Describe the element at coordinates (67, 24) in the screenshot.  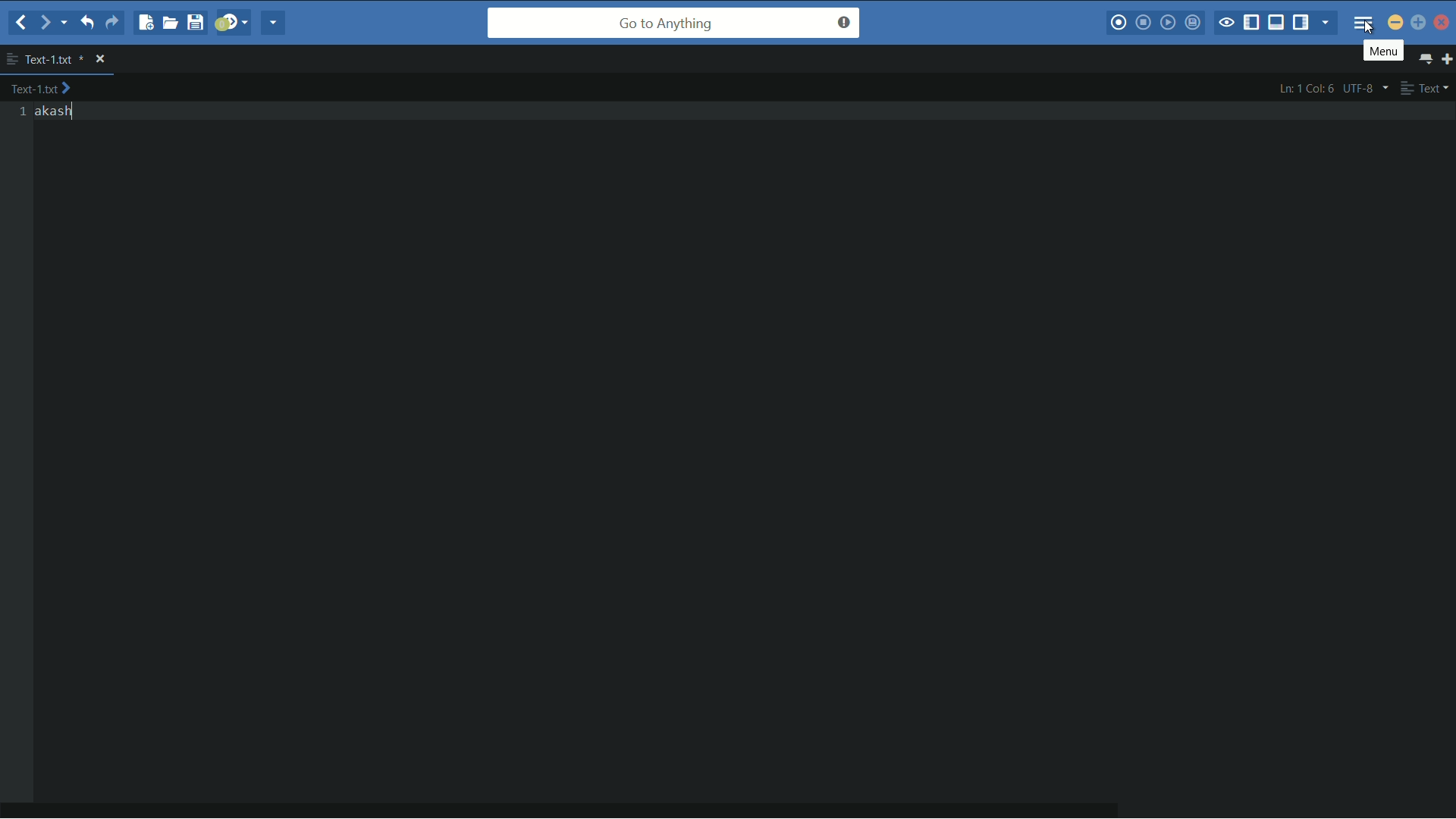
I see `end` at that location.